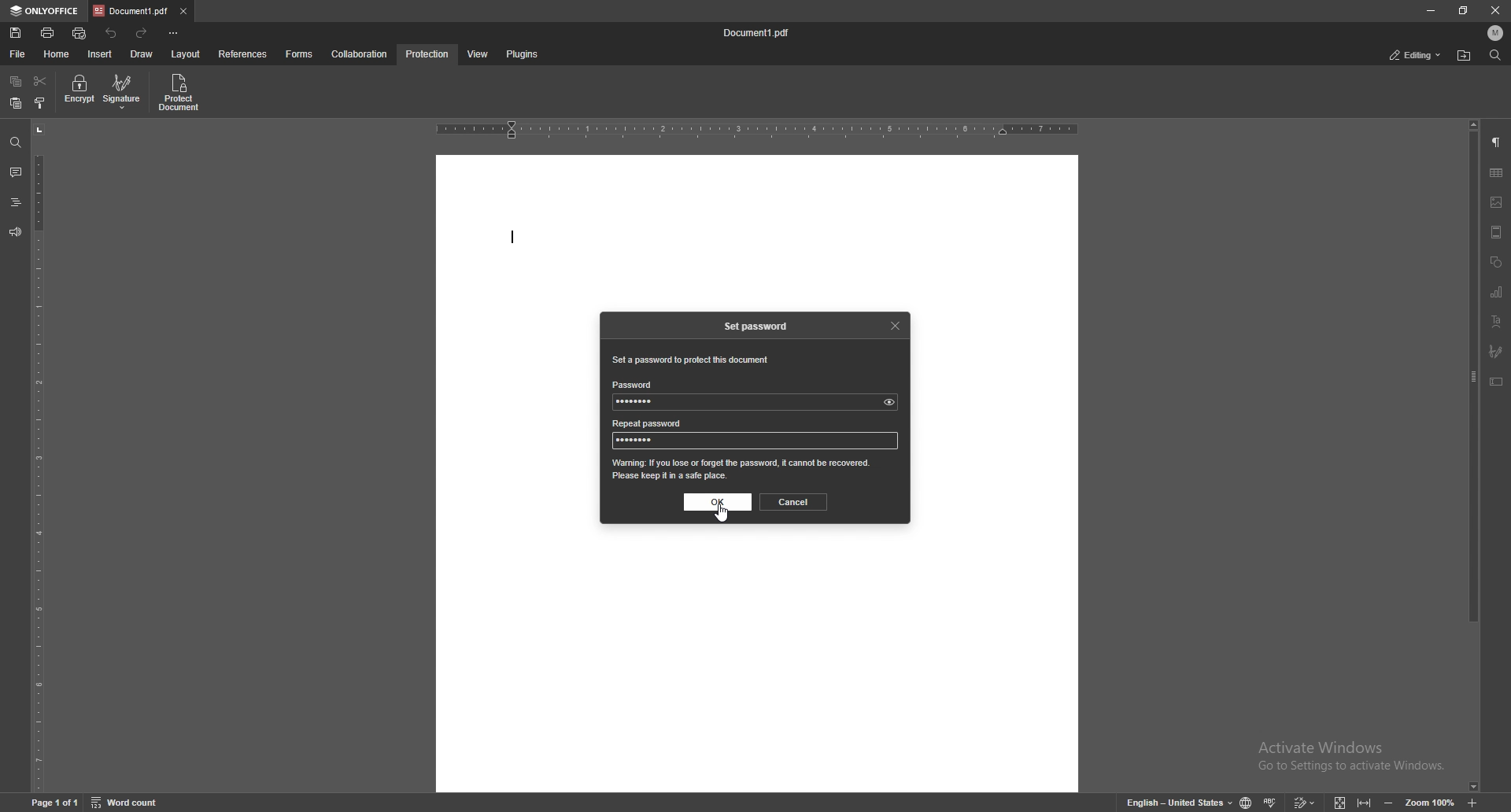 Image resolution: width=1511 pixels, height=812 pixels. Describe the element at coordinates (718, 502) in the screenshot. I see `ok` at that location.